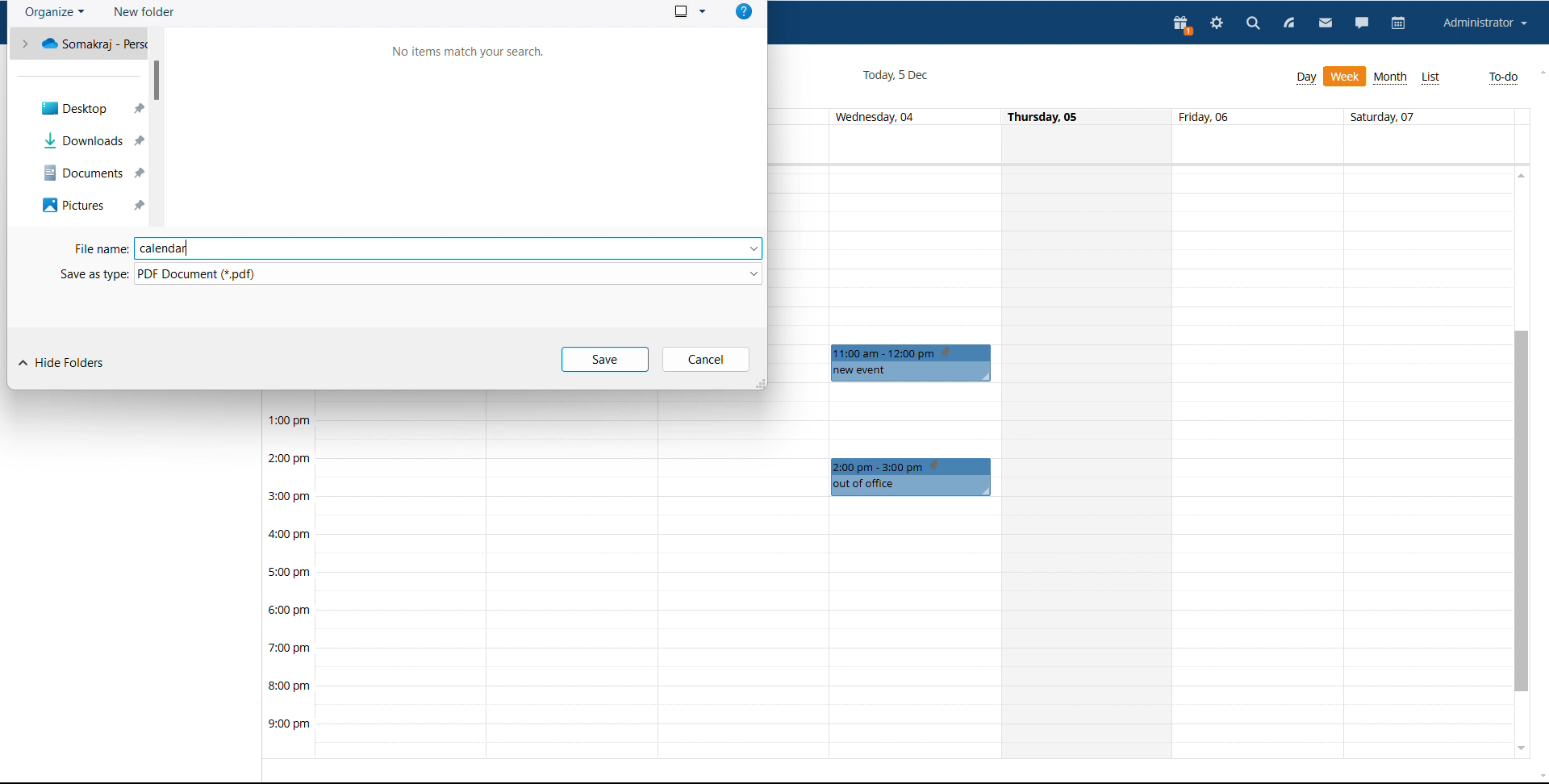 This screenshot has height=784, width=1549. Describe the element at coordinates (287, 583) in the screenshot. I see `timeline` at that location.